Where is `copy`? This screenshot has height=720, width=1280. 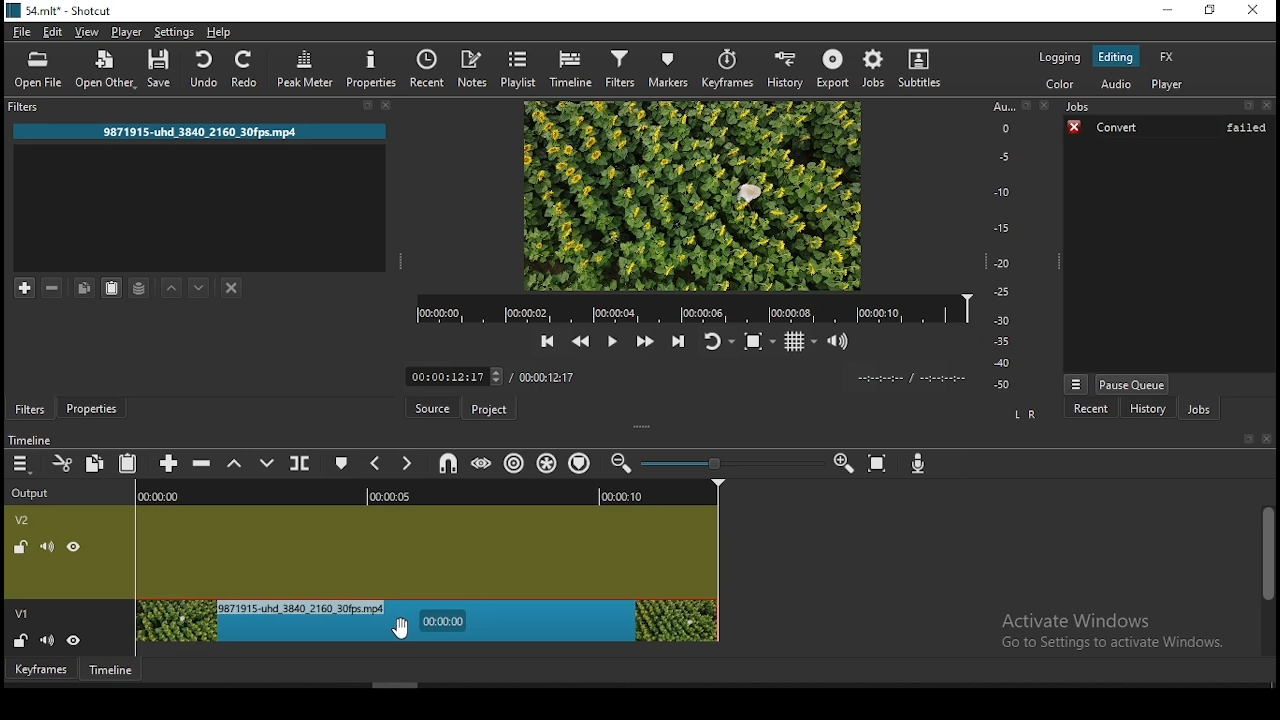
copy is located at coordinates (95, 462).